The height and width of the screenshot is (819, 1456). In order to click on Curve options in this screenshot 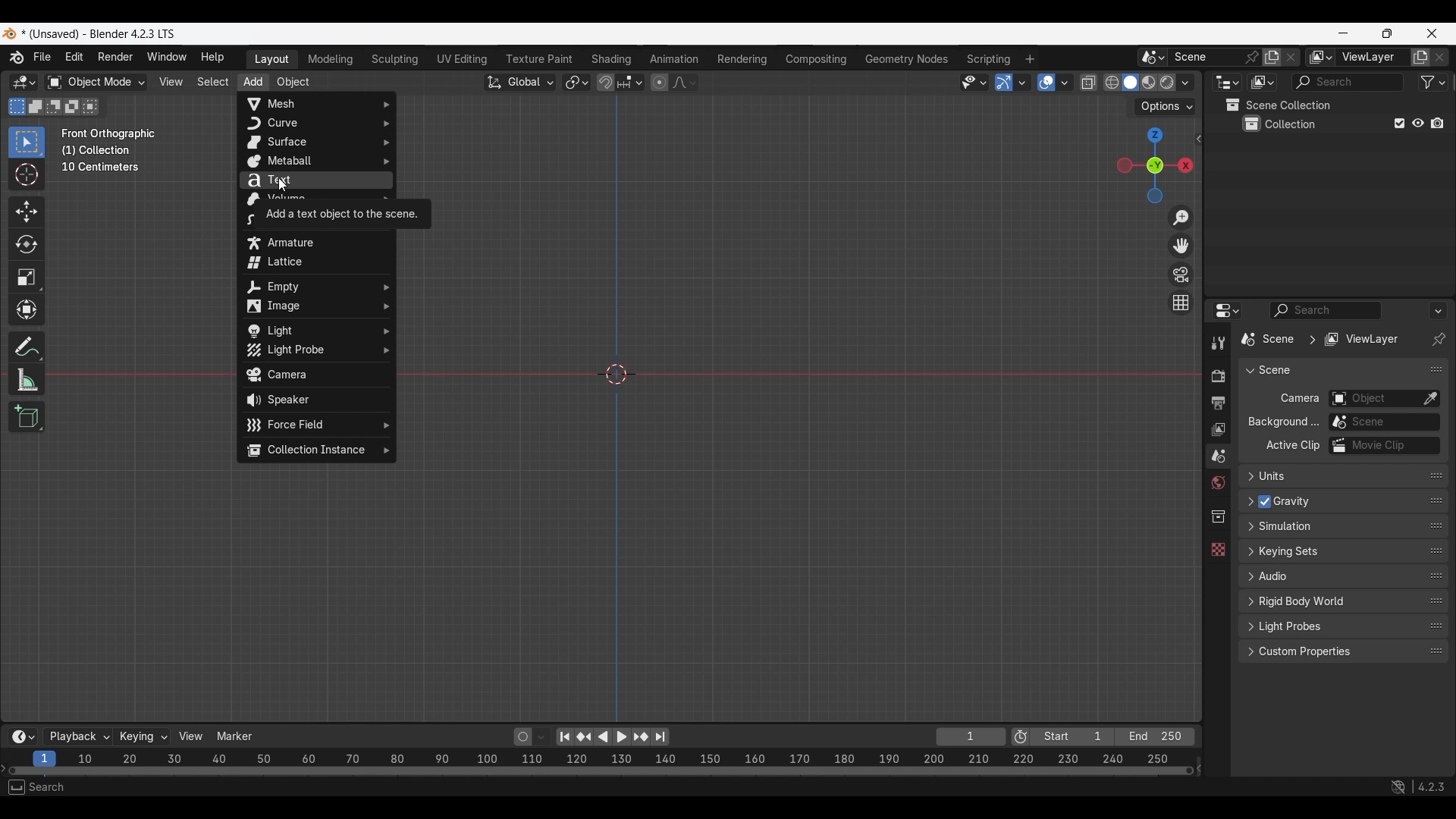, I will do `click(317, 123)`.